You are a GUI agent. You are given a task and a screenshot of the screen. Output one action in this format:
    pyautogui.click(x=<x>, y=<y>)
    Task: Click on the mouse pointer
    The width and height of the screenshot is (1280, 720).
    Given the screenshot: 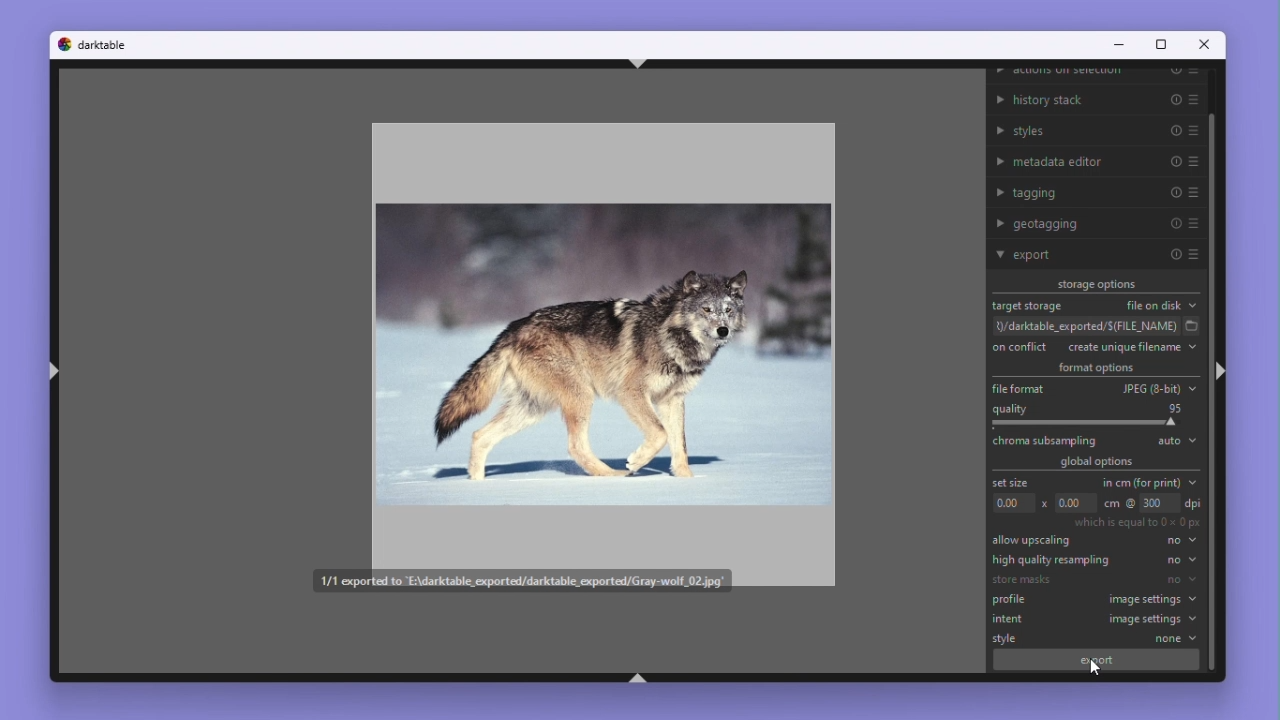 What is the action you would take?
    pyautogui.click(x=1098, y=670)
    